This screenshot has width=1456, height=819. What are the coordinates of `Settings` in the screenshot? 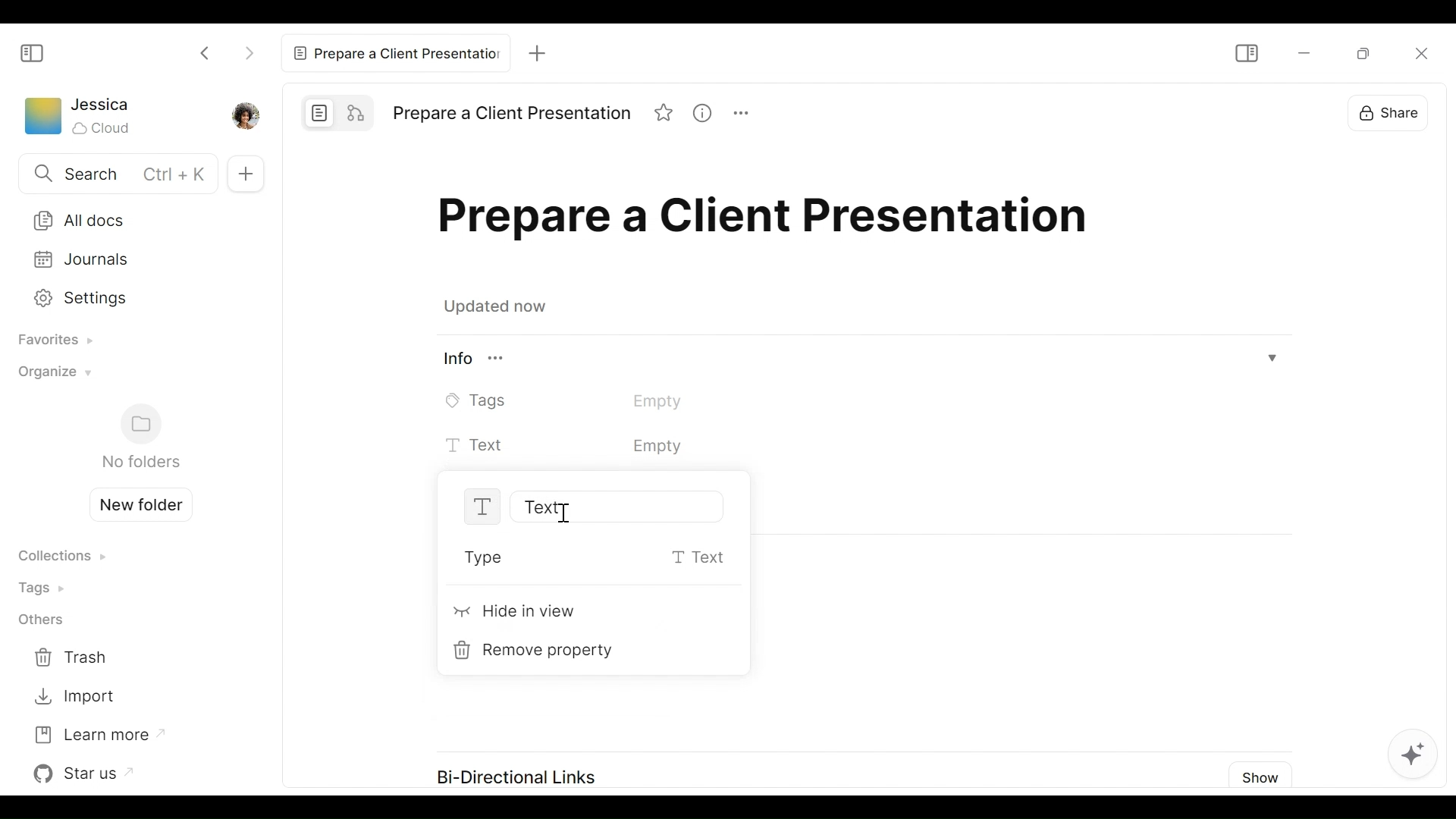 It's located at (127, 296).